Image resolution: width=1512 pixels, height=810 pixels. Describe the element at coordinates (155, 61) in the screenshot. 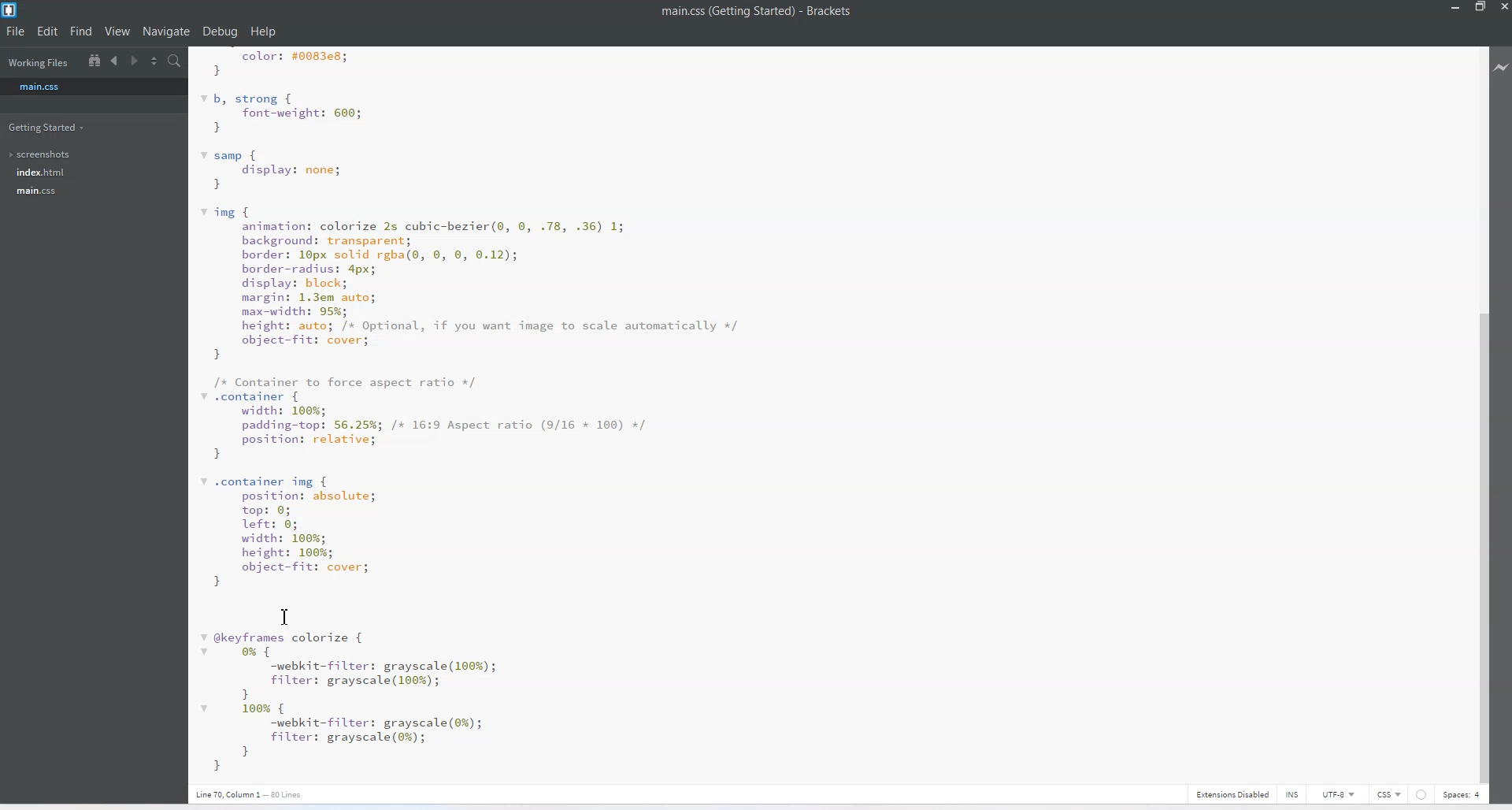

I see `Split the editor vertically or Horizontally` at that location.